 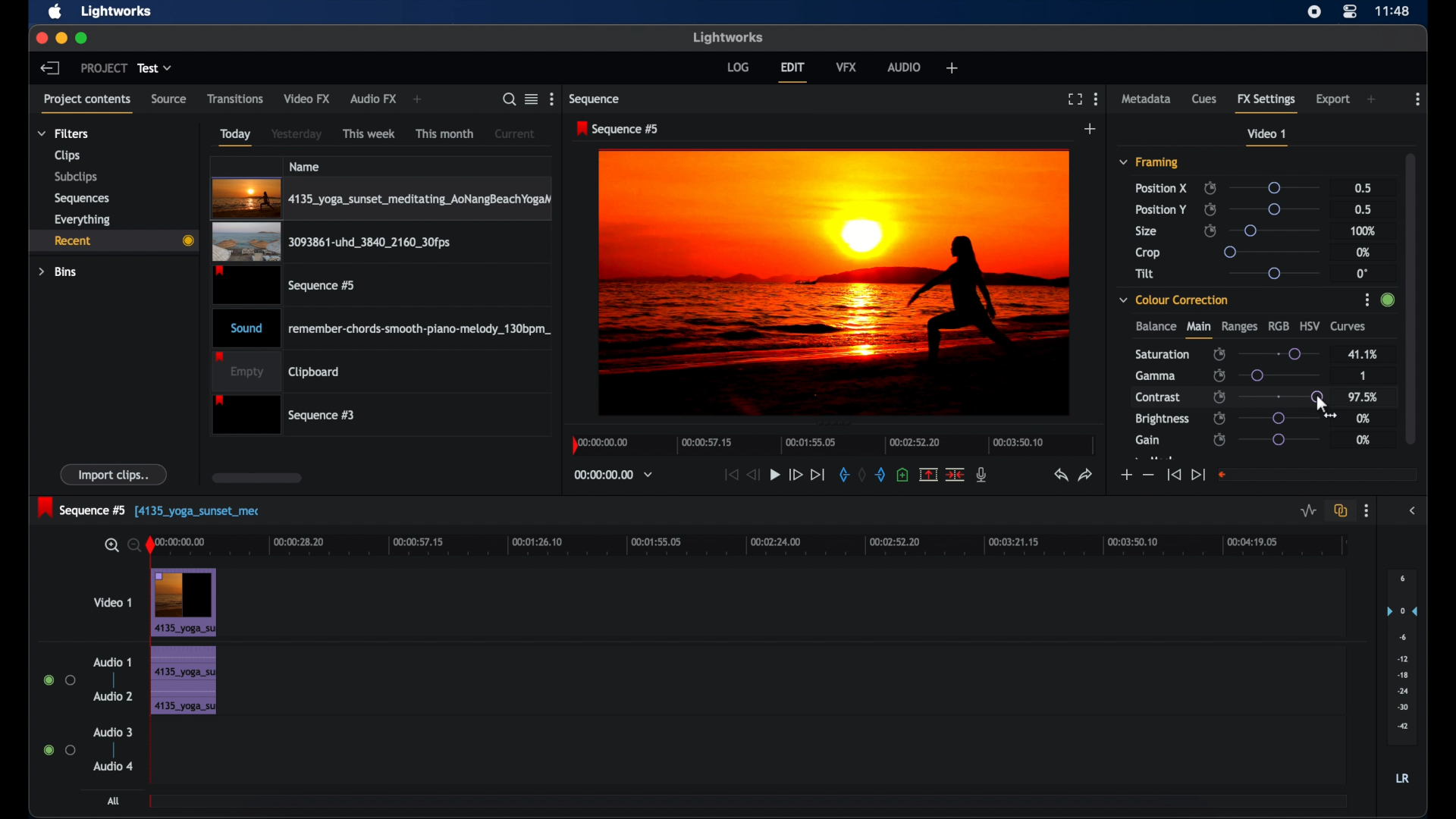 What do you see at coordinates (1210, 188) in the screenshot?
I see `enable/disable keyframes` at bounding box center [1210, 188].